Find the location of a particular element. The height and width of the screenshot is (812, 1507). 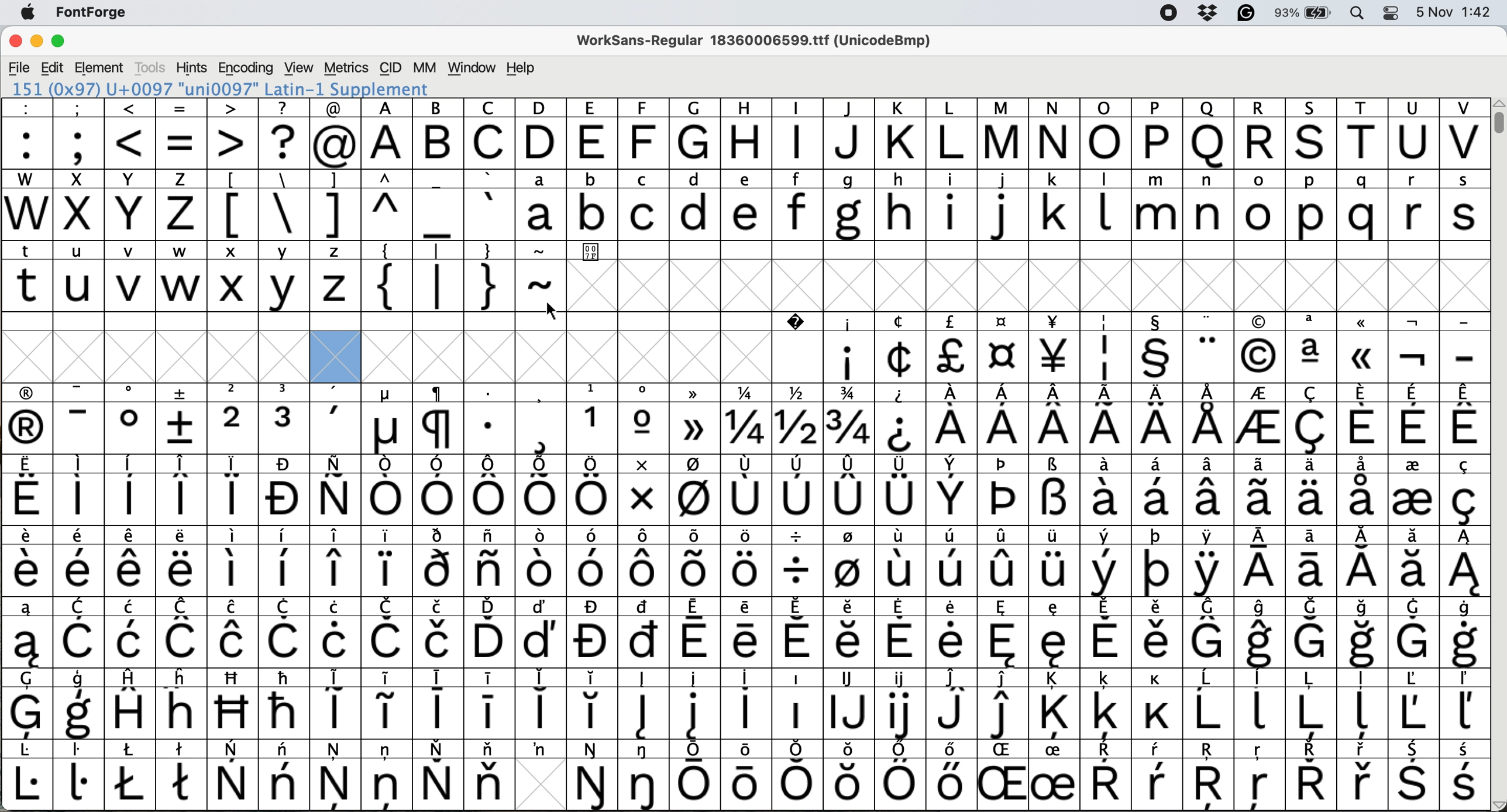

symbol is located at coordinates (748, 563).